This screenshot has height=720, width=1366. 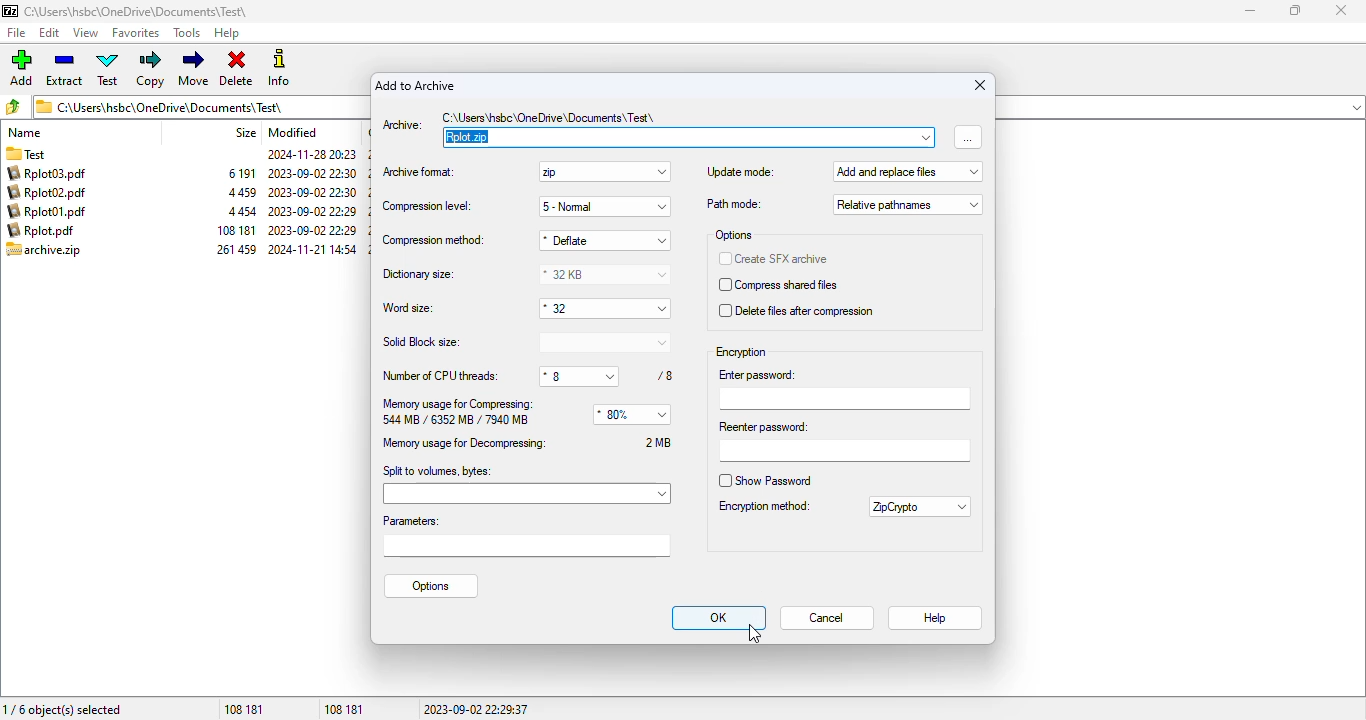 What do you see at coordinates (345, 708) in the screenshot?
I see `108 181` at bounding box center [345, 708].